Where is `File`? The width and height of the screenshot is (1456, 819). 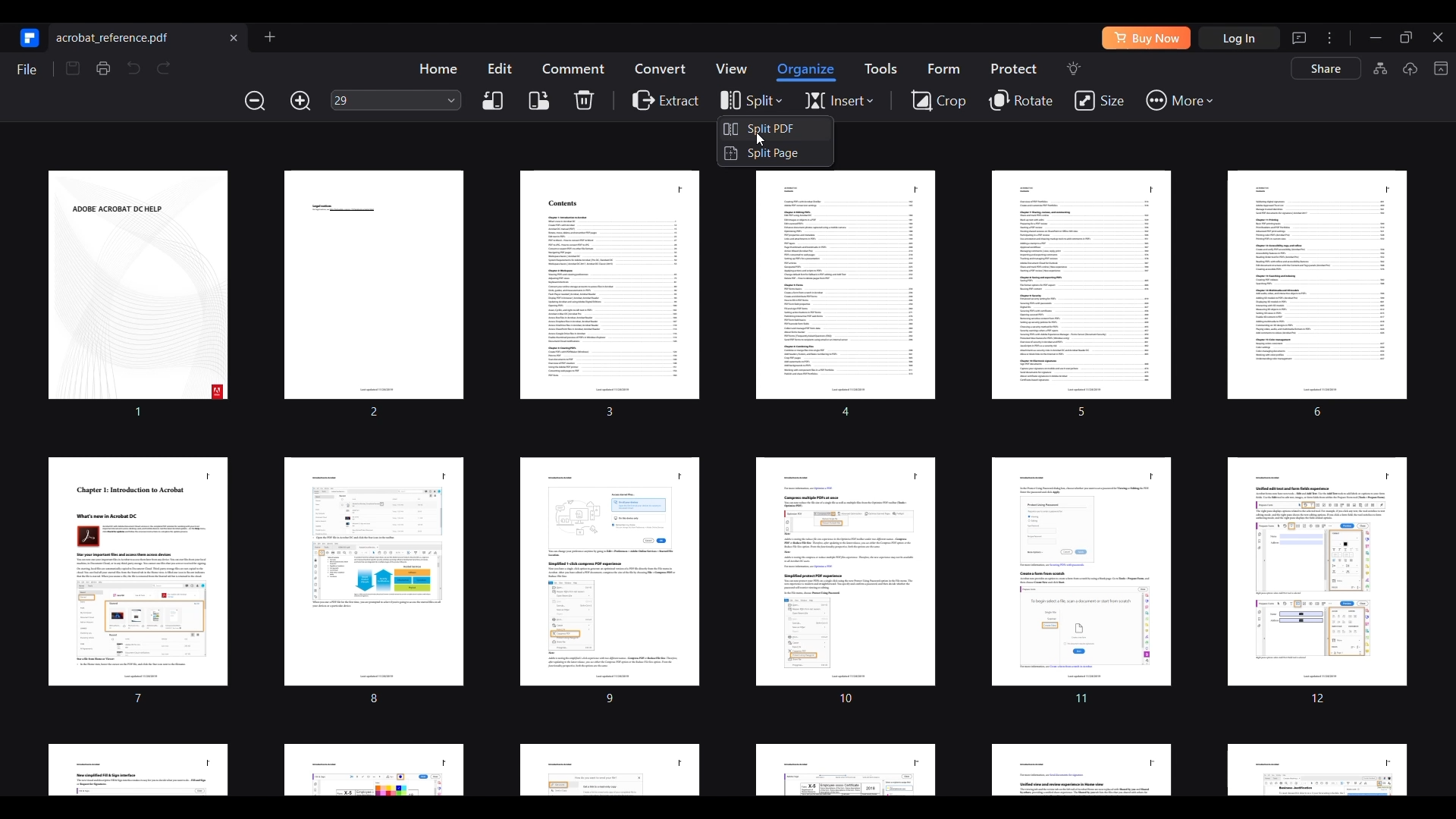 File is located at coordinates (26, 69).